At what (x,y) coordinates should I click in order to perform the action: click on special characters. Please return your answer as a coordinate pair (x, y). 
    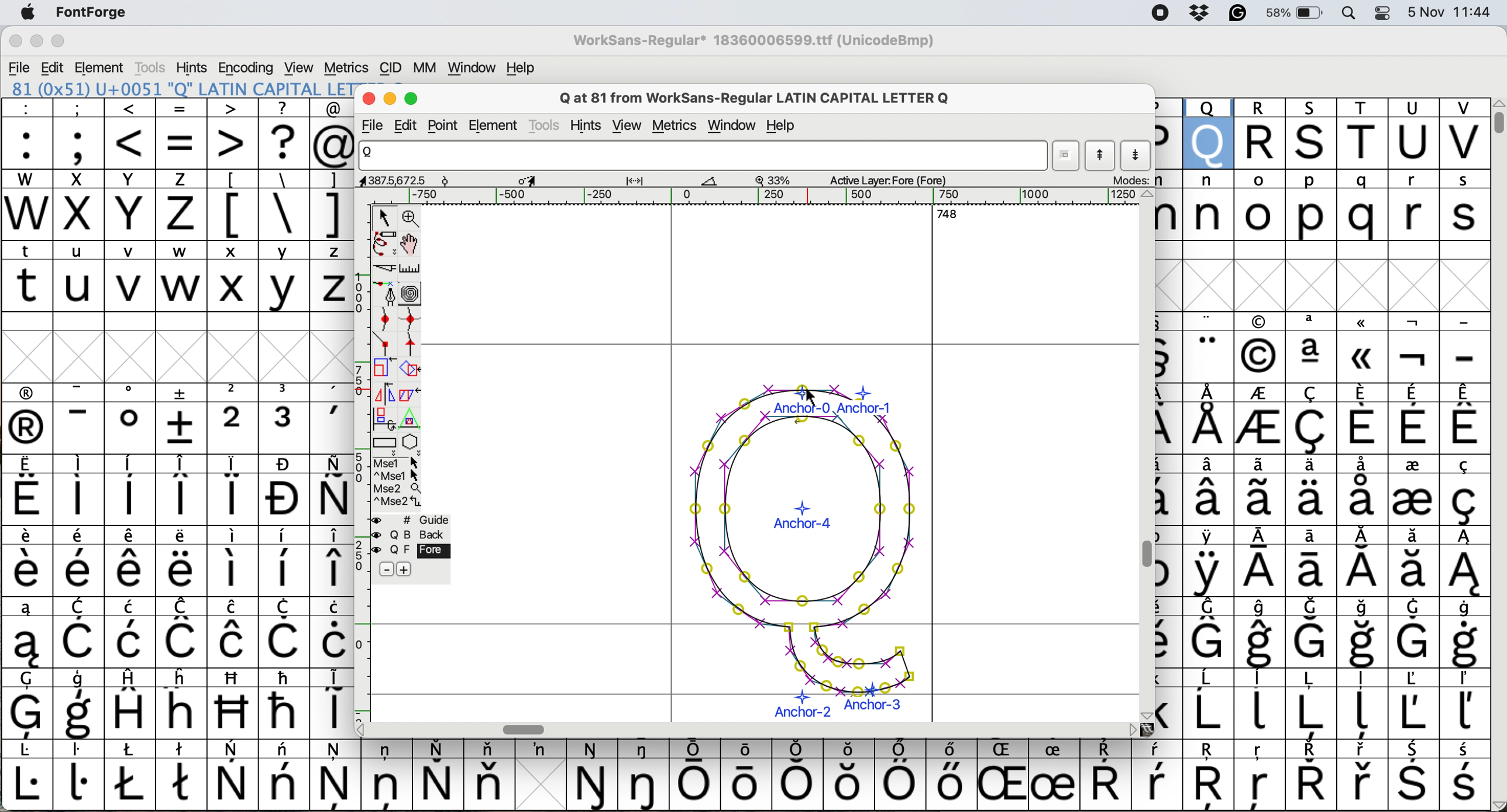
    Looking at the image, I should click on (172, 558).